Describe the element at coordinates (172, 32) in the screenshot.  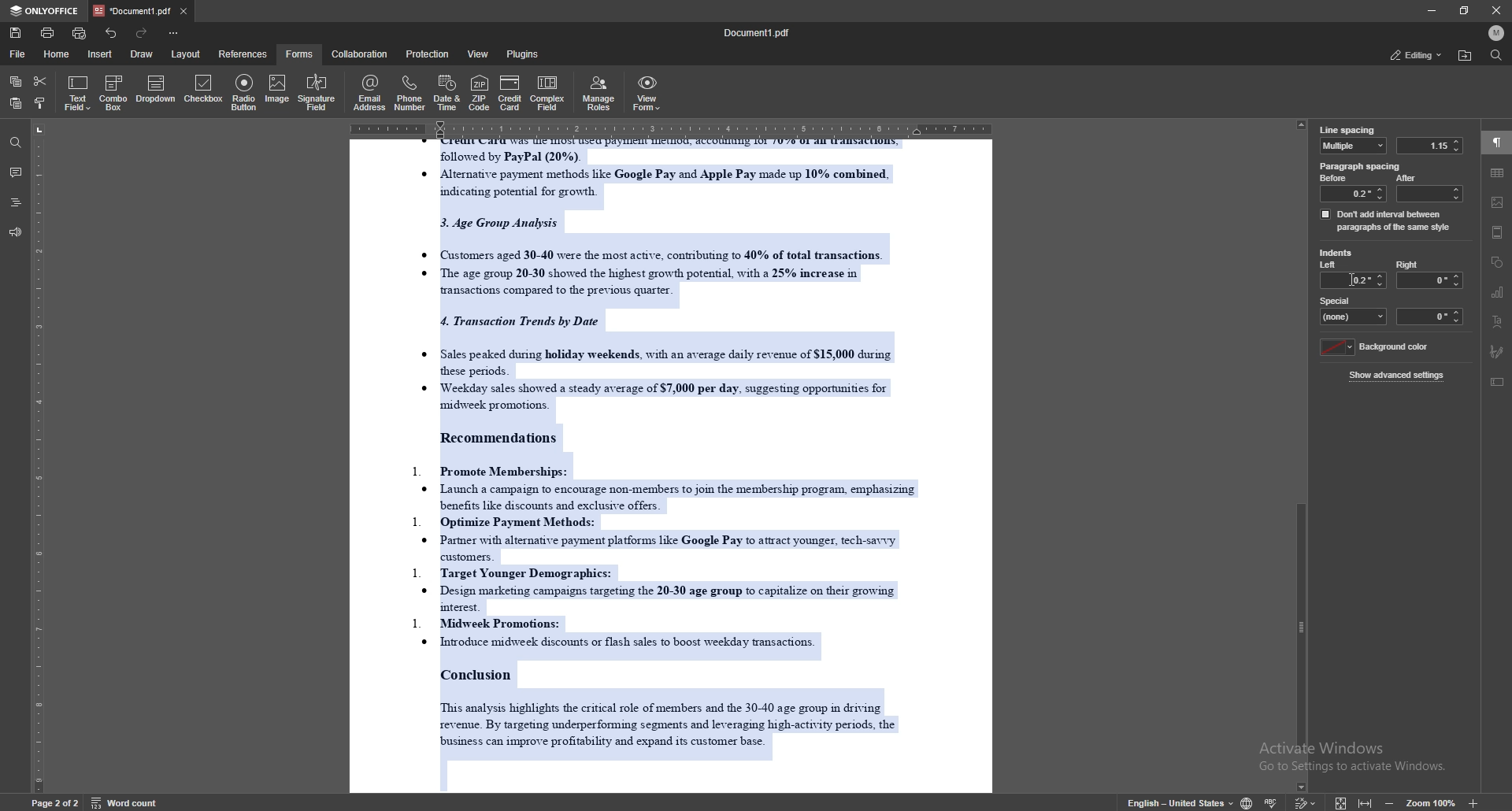
I see `customize toolbar` at that location.